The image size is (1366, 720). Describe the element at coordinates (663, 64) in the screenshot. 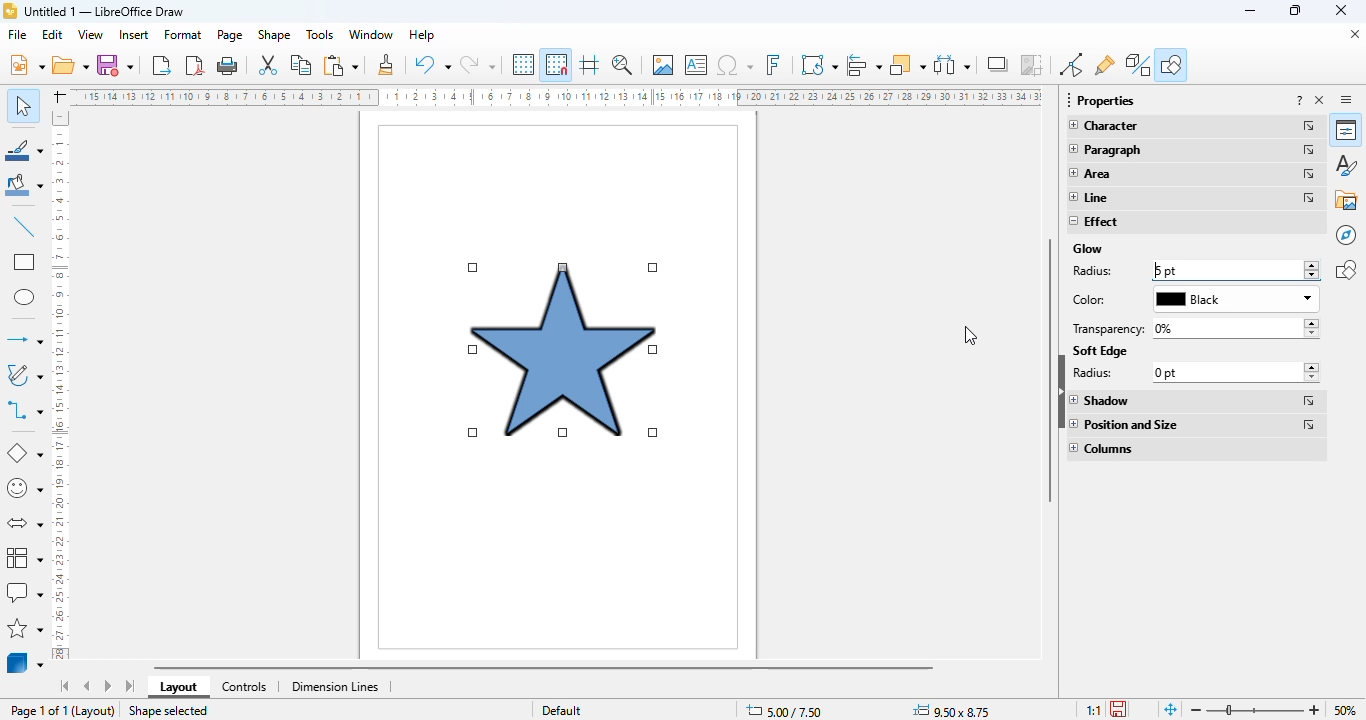

I see `insert image` at that location.